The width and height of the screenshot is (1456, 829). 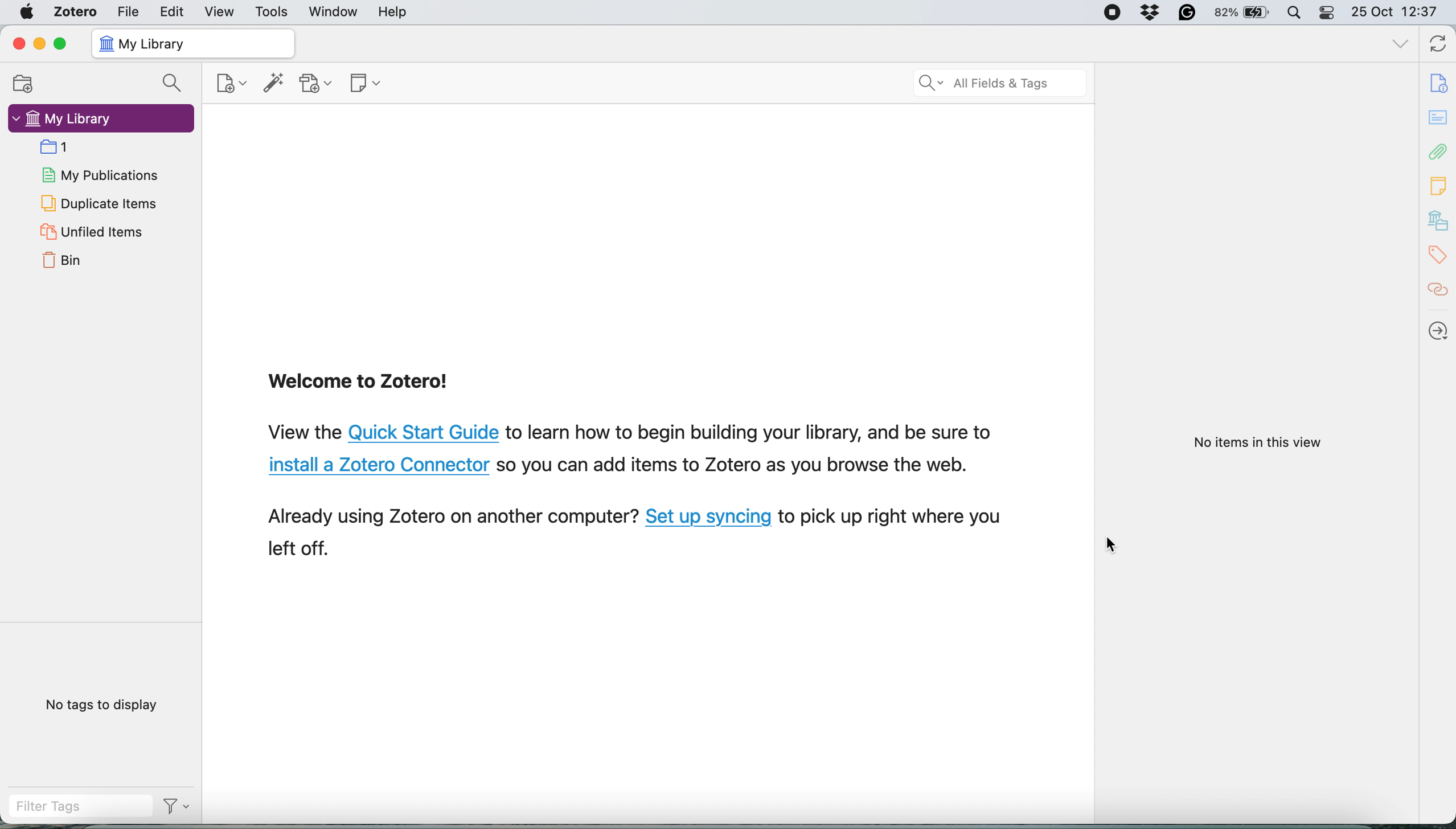 I want to click on my library, so click(x=193, y=43).